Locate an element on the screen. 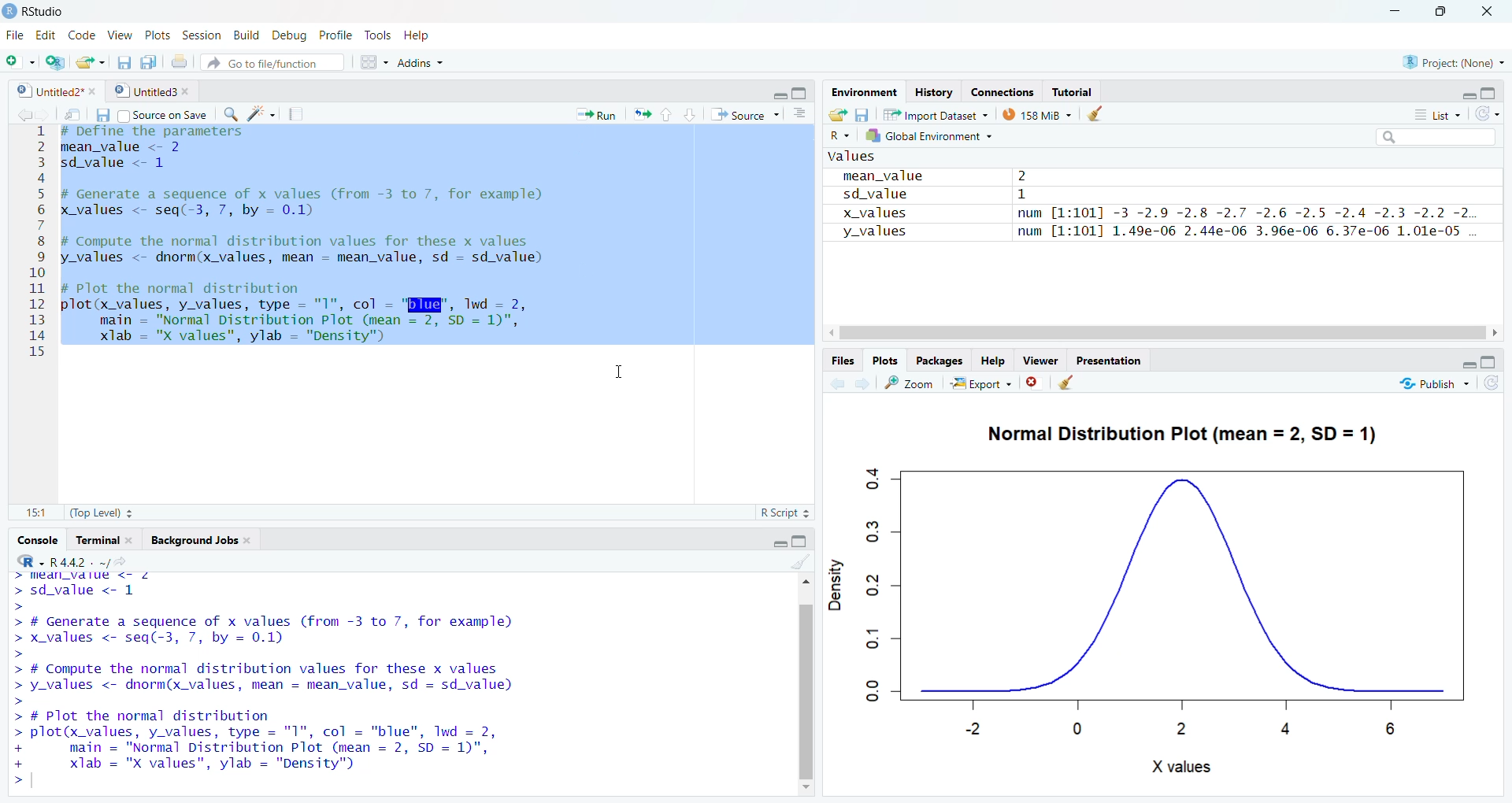 Image resolution: width=1512 pixels, height=803 pixels. 1 is located at coordinates (787, 561).